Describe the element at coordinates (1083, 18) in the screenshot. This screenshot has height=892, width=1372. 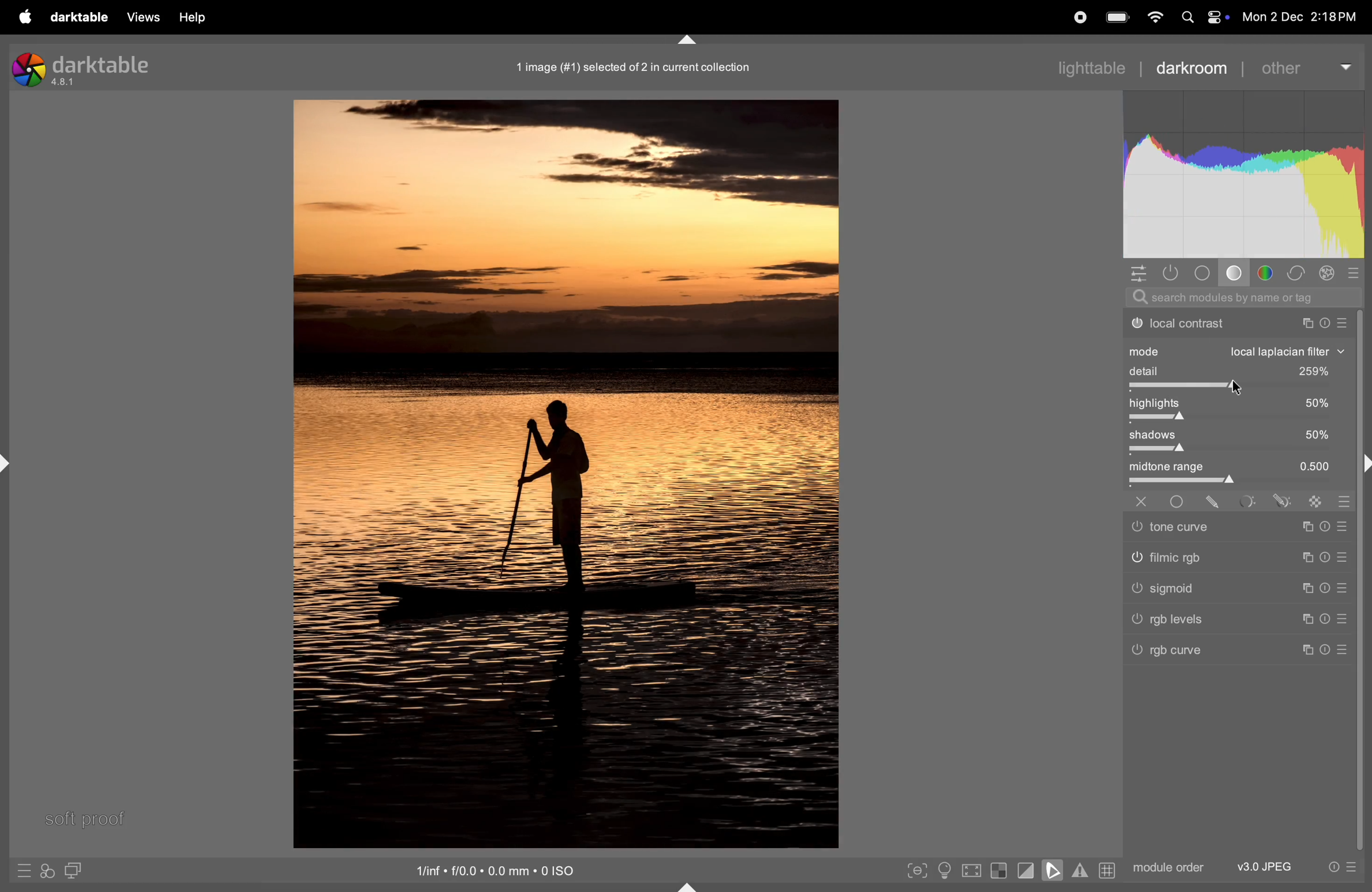
I see `record` at that location.